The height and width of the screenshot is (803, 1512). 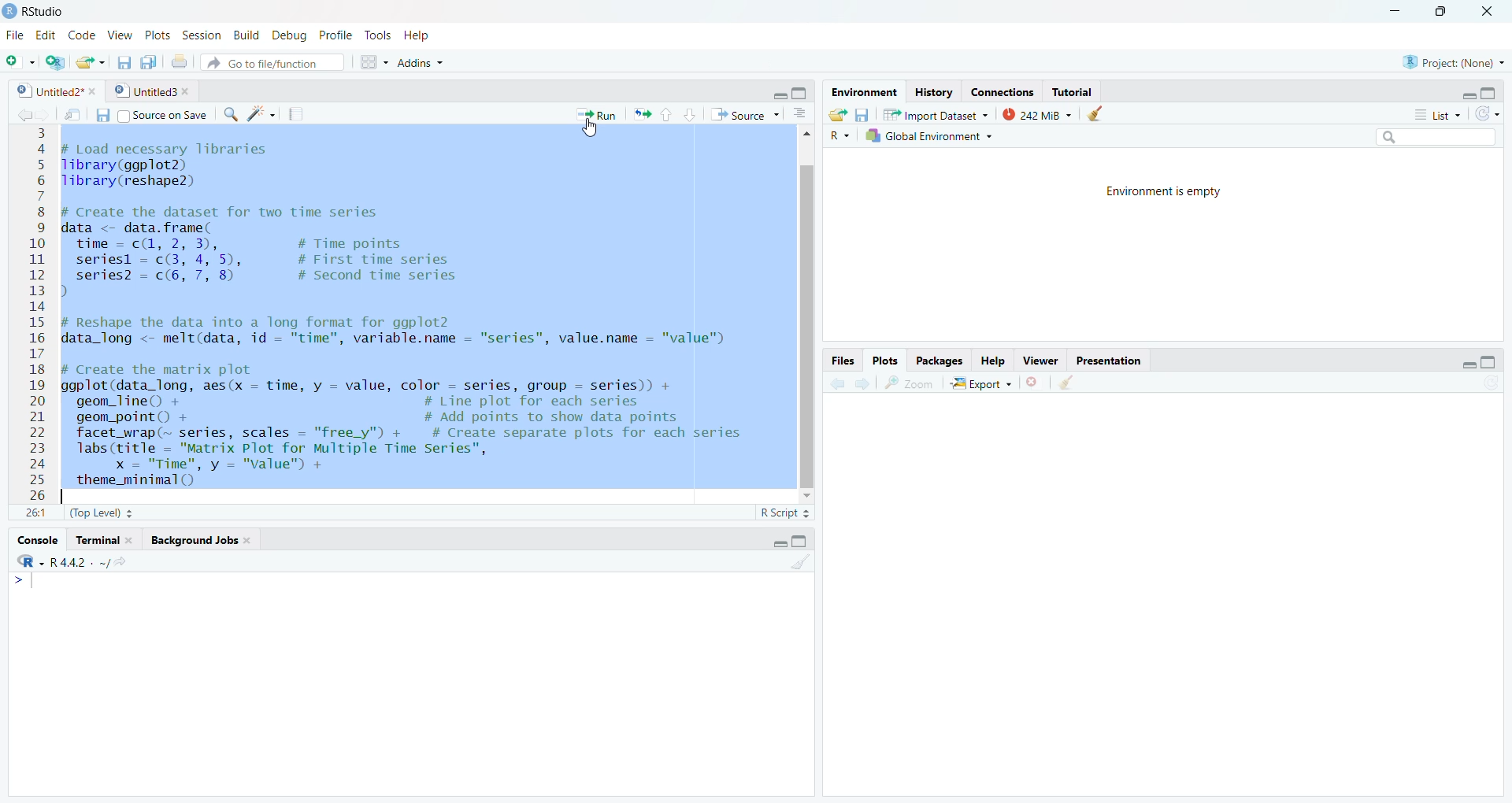 I want to click on Environment, so click(x=862, y=93).